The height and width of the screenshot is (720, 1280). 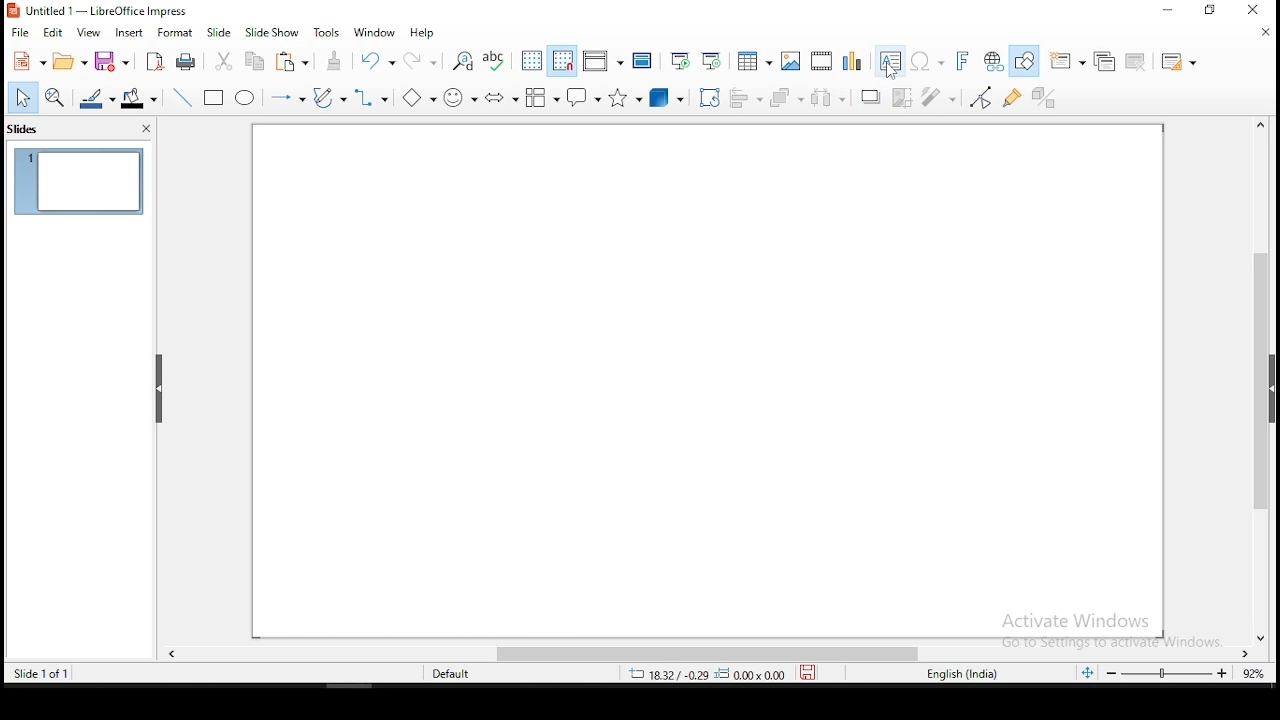 What do you see at coordinates (327, 98) in the screenshot?
I see `curves and polygons` at bounding box center [327, 98].